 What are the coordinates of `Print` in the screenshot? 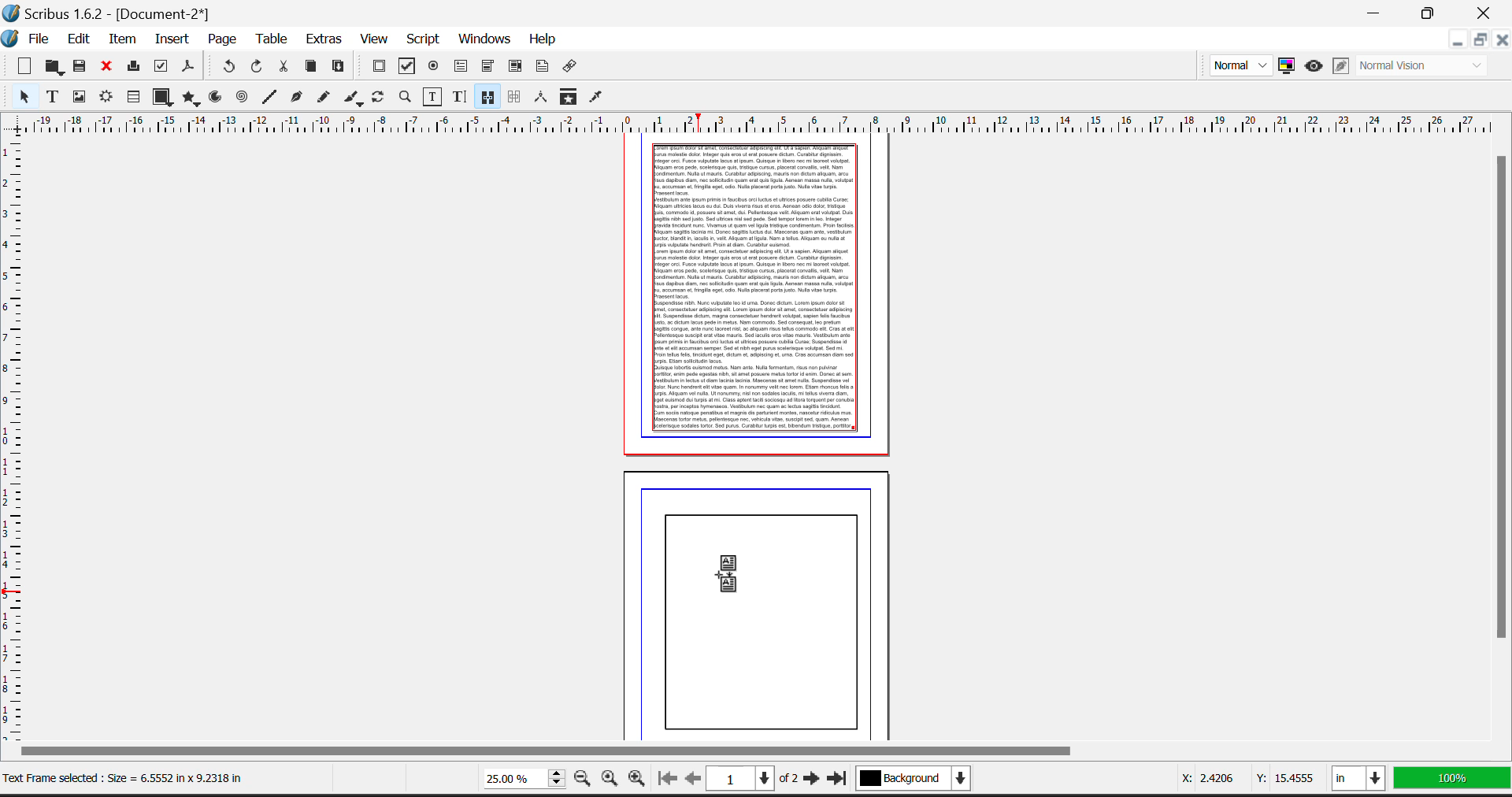 It's located at (133, 69).